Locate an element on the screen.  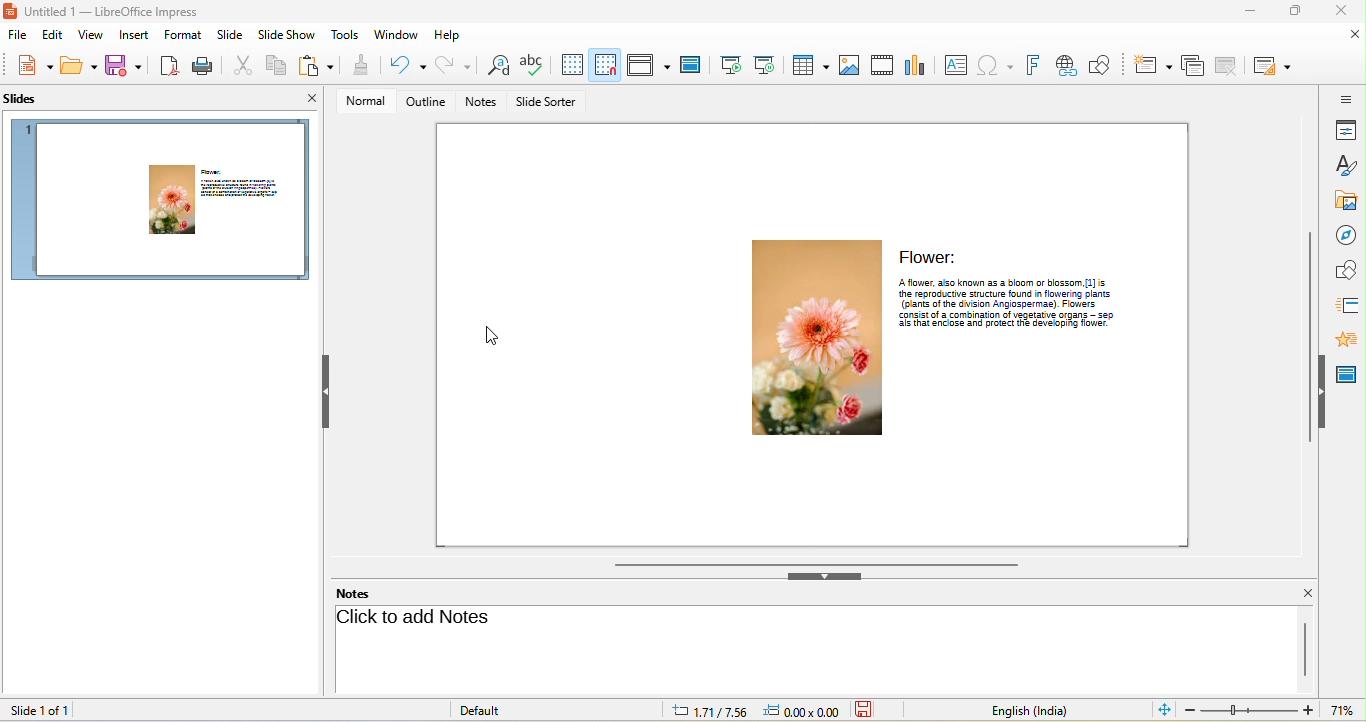
find and replace is located at coordinates (495, 66).